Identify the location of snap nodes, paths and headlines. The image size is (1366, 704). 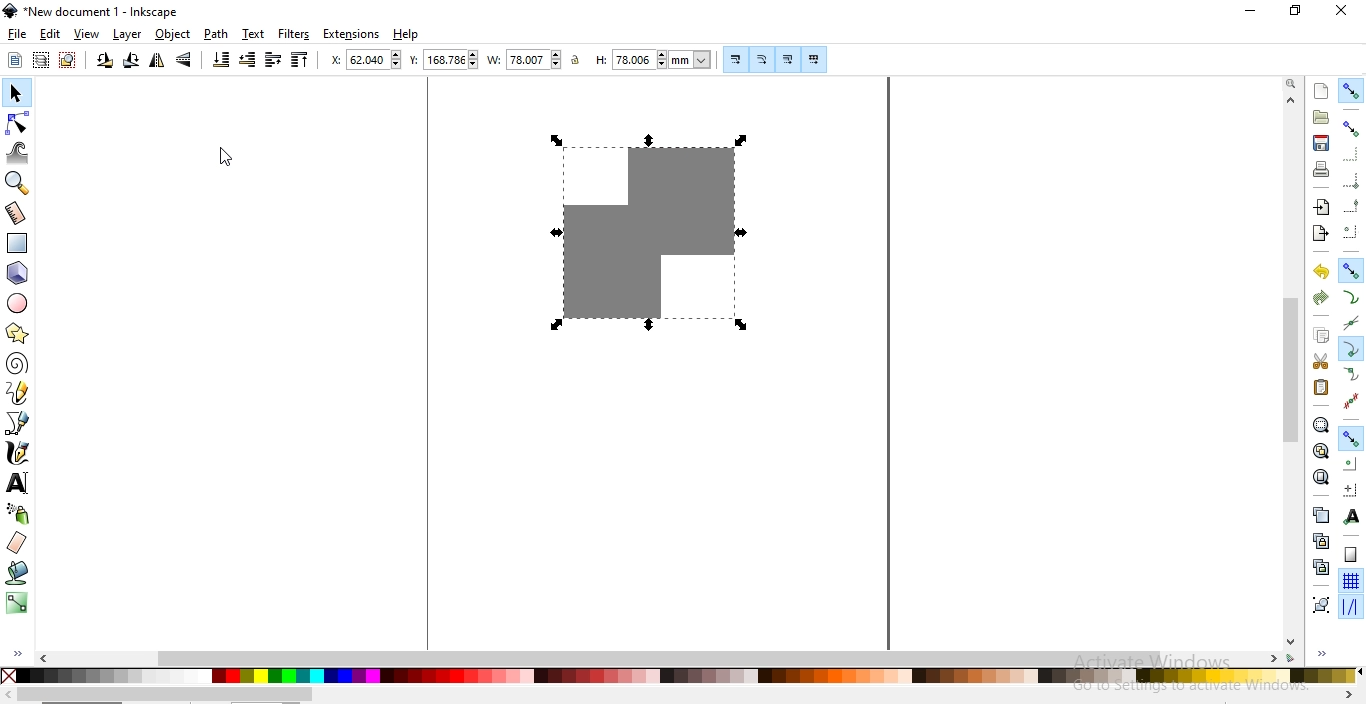
(1351, 270).